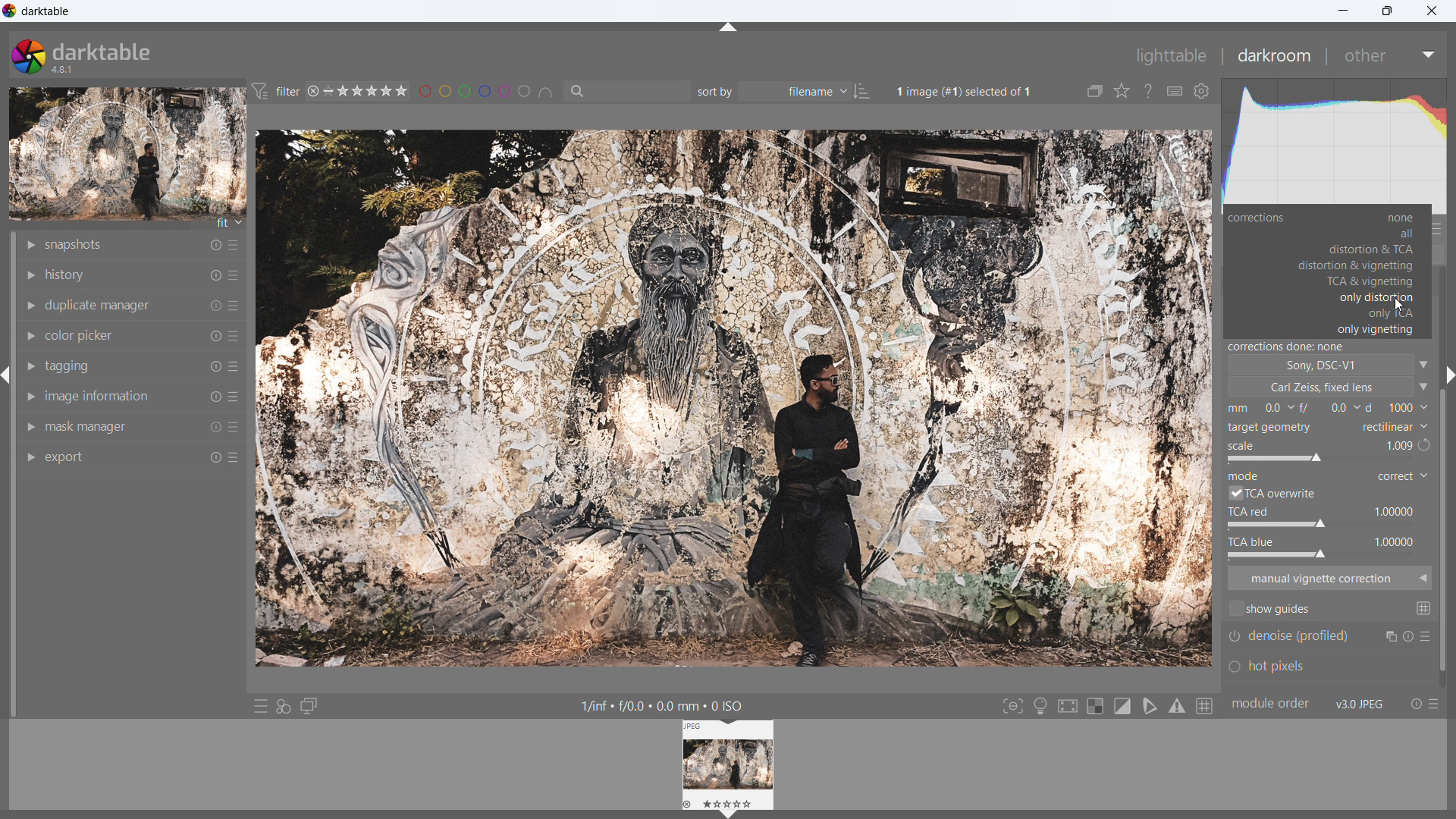 The width and height of the screenshot is (1456, 819). Describe the element at coordinates (1360, 248) in the screenshot. I see `distortion & TCA` at that location.